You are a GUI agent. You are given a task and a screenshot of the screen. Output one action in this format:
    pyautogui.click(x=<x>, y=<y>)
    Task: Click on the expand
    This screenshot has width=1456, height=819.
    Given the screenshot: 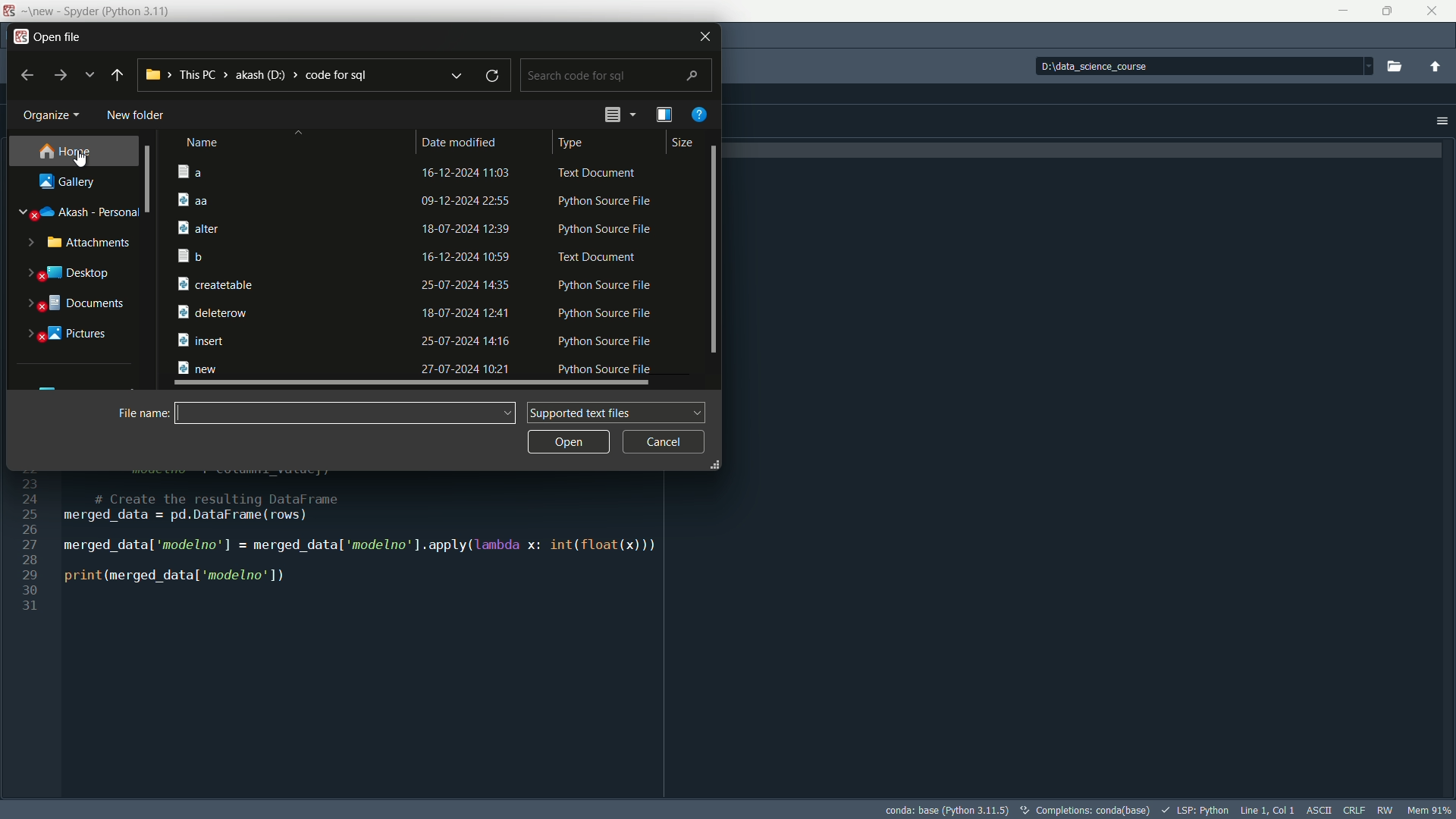 What is the action you would take?
    pyautogui.click(x=28, y=274)
    